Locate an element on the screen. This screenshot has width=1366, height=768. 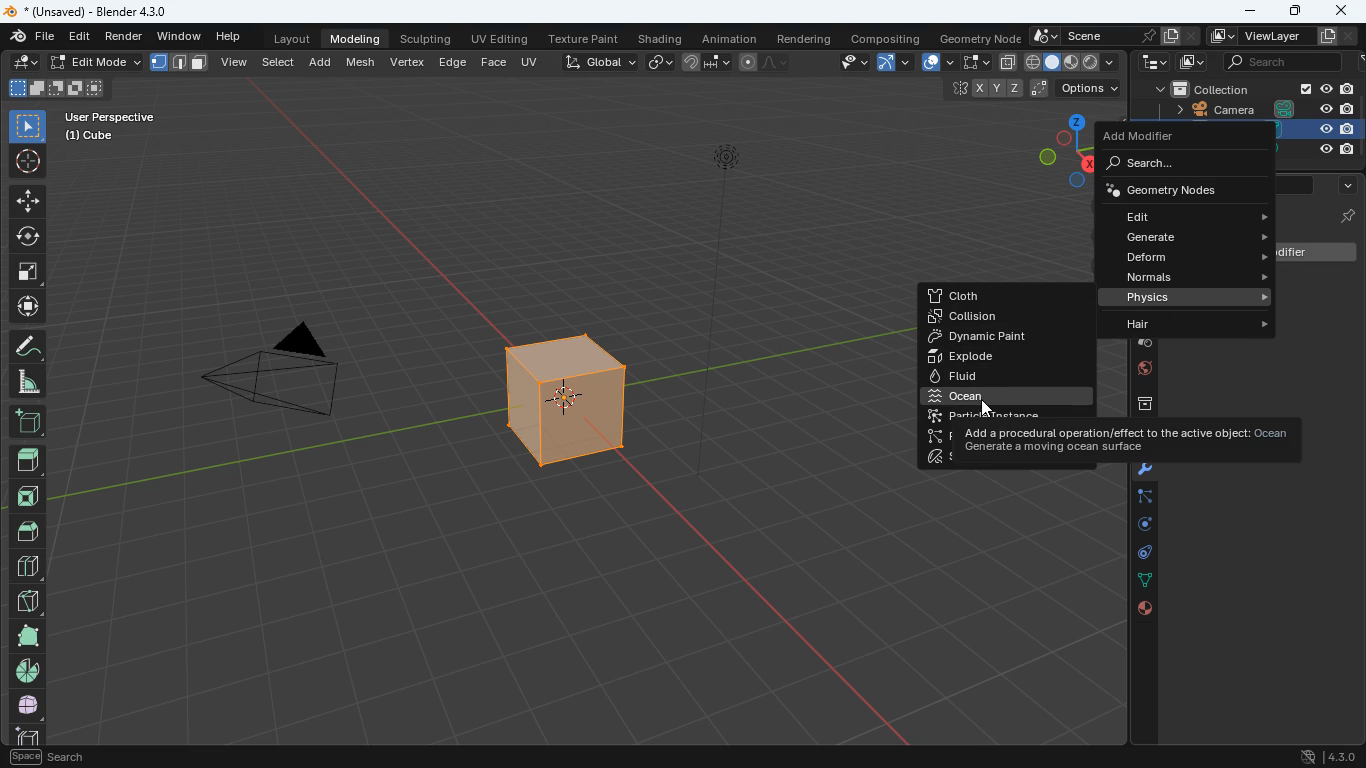
blender is located at coordinates (96, 11).